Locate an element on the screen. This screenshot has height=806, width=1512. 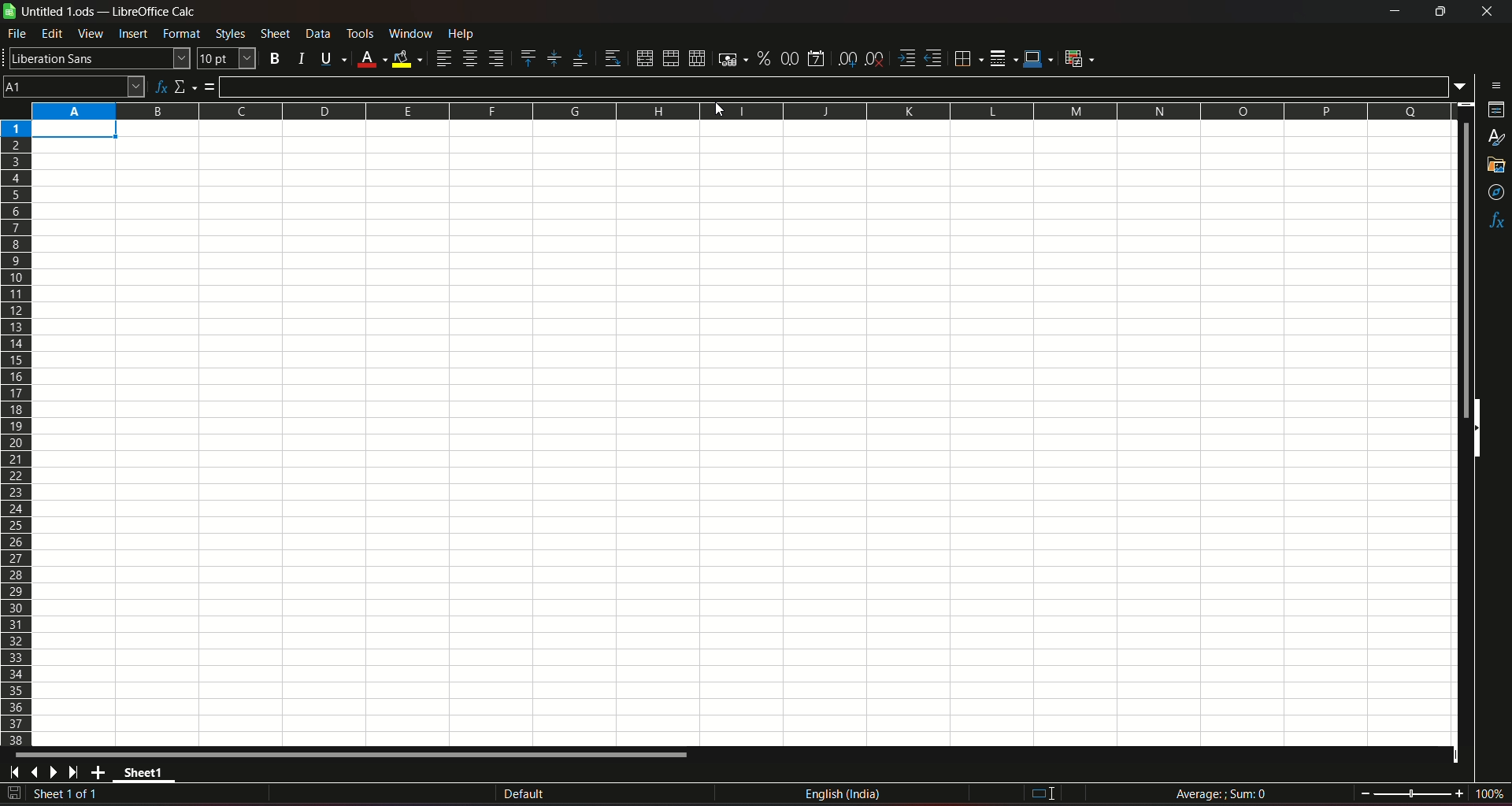
increase indent is located at coordinates (906, 57).